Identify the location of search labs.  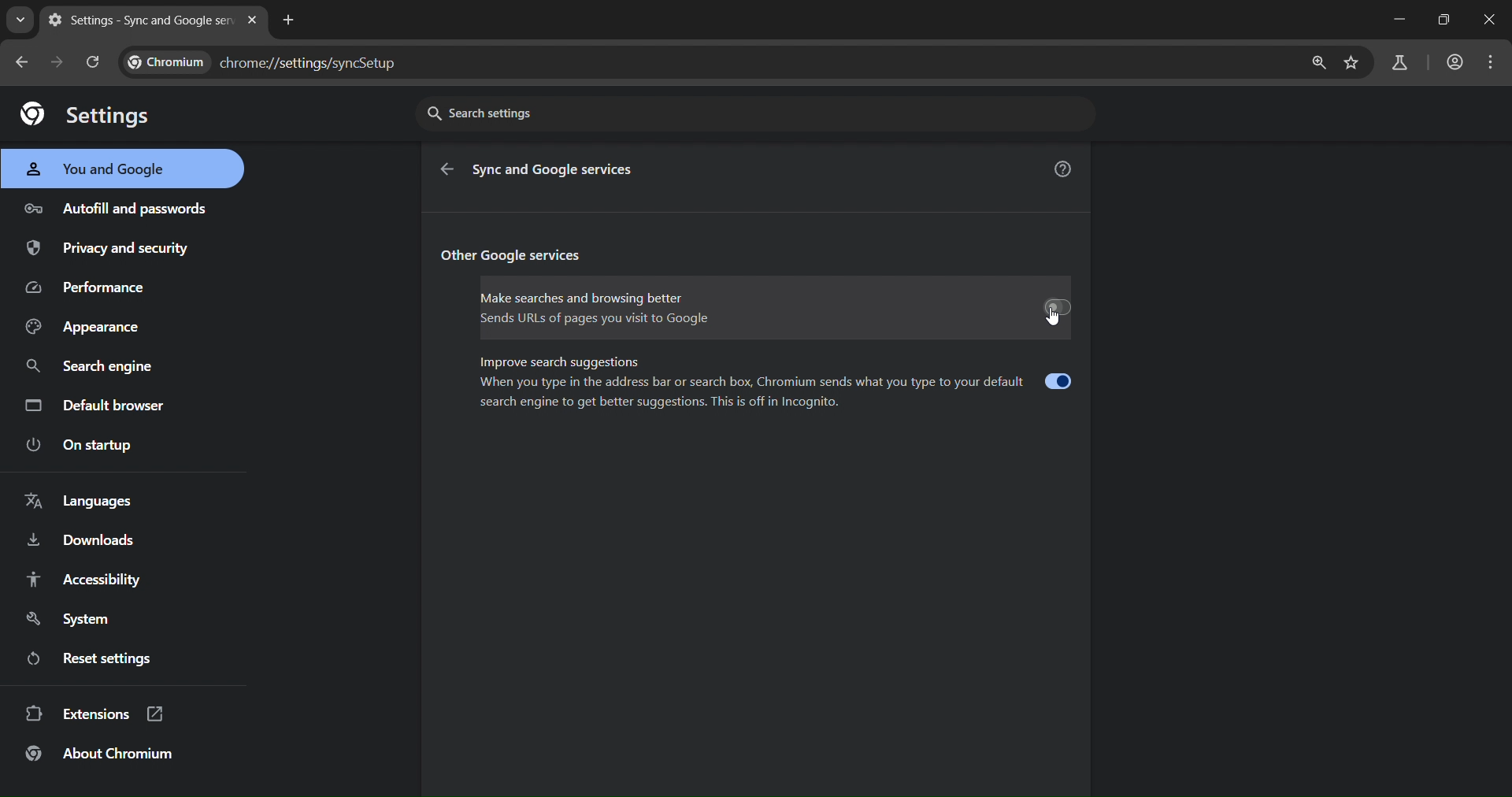
(1399, 63).